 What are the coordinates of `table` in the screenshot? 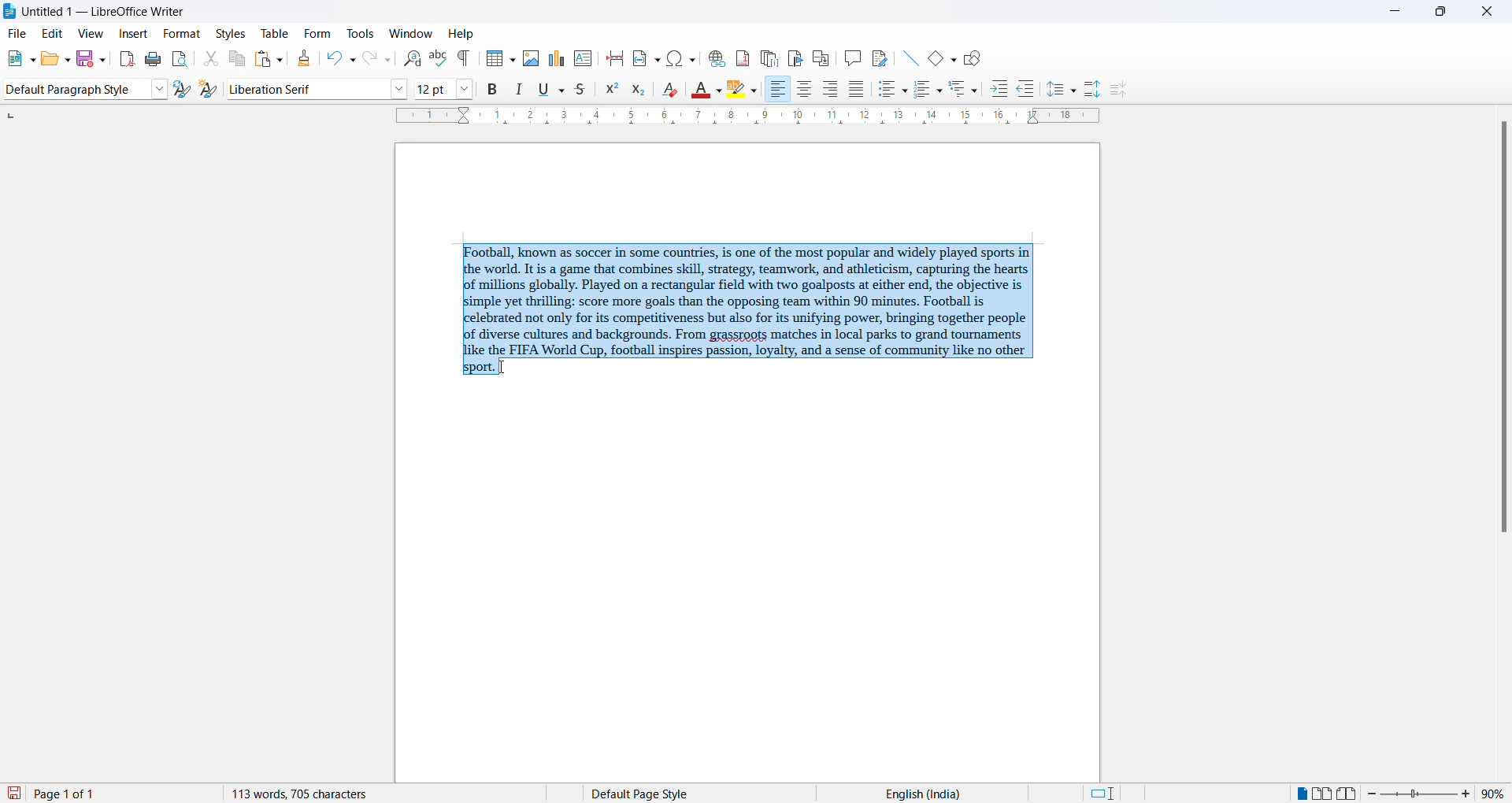 It's located at (275, 32).